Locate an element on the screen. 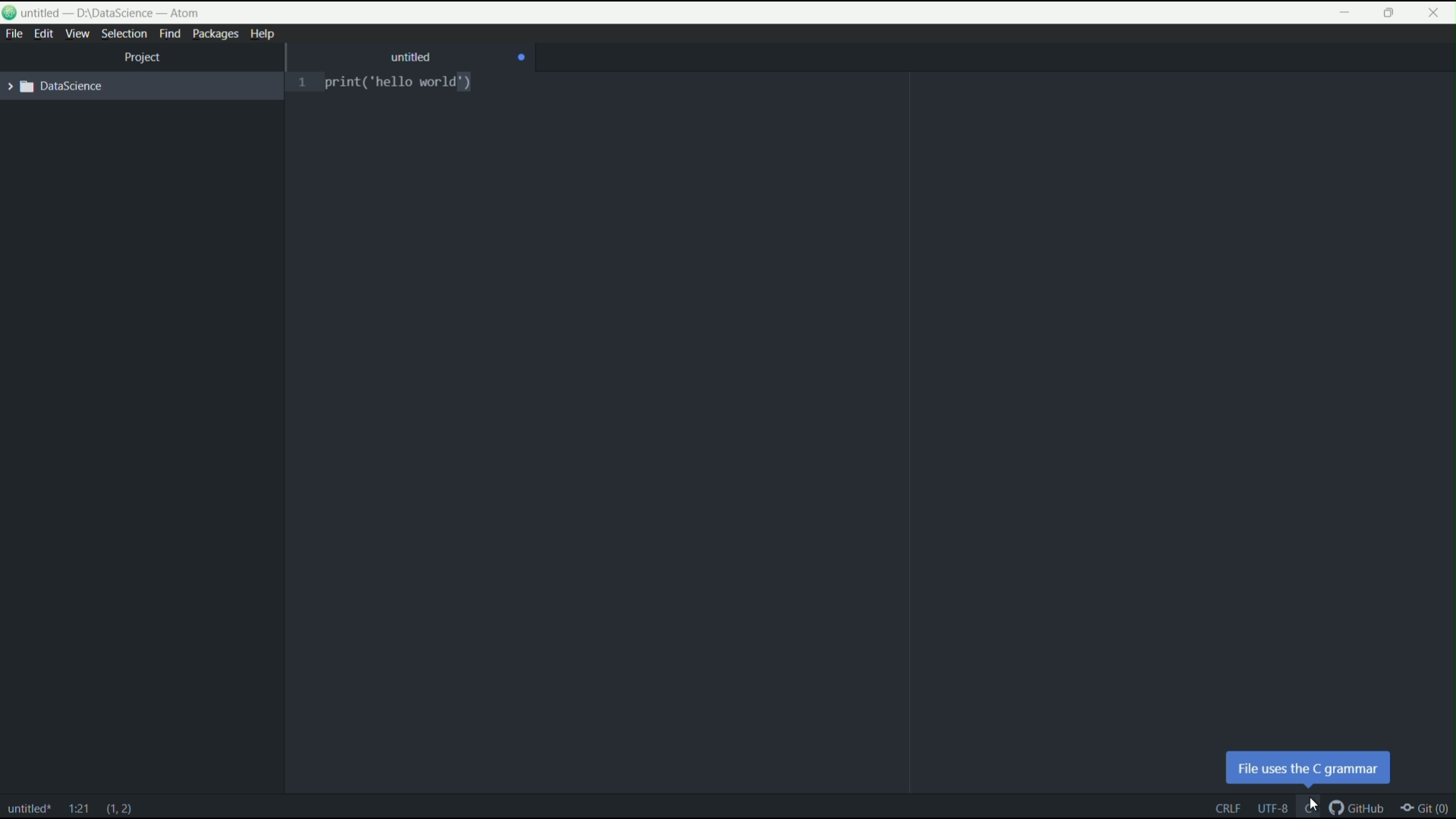 The image size is (1456, 819). untitled is located at coordinates (412, 57).